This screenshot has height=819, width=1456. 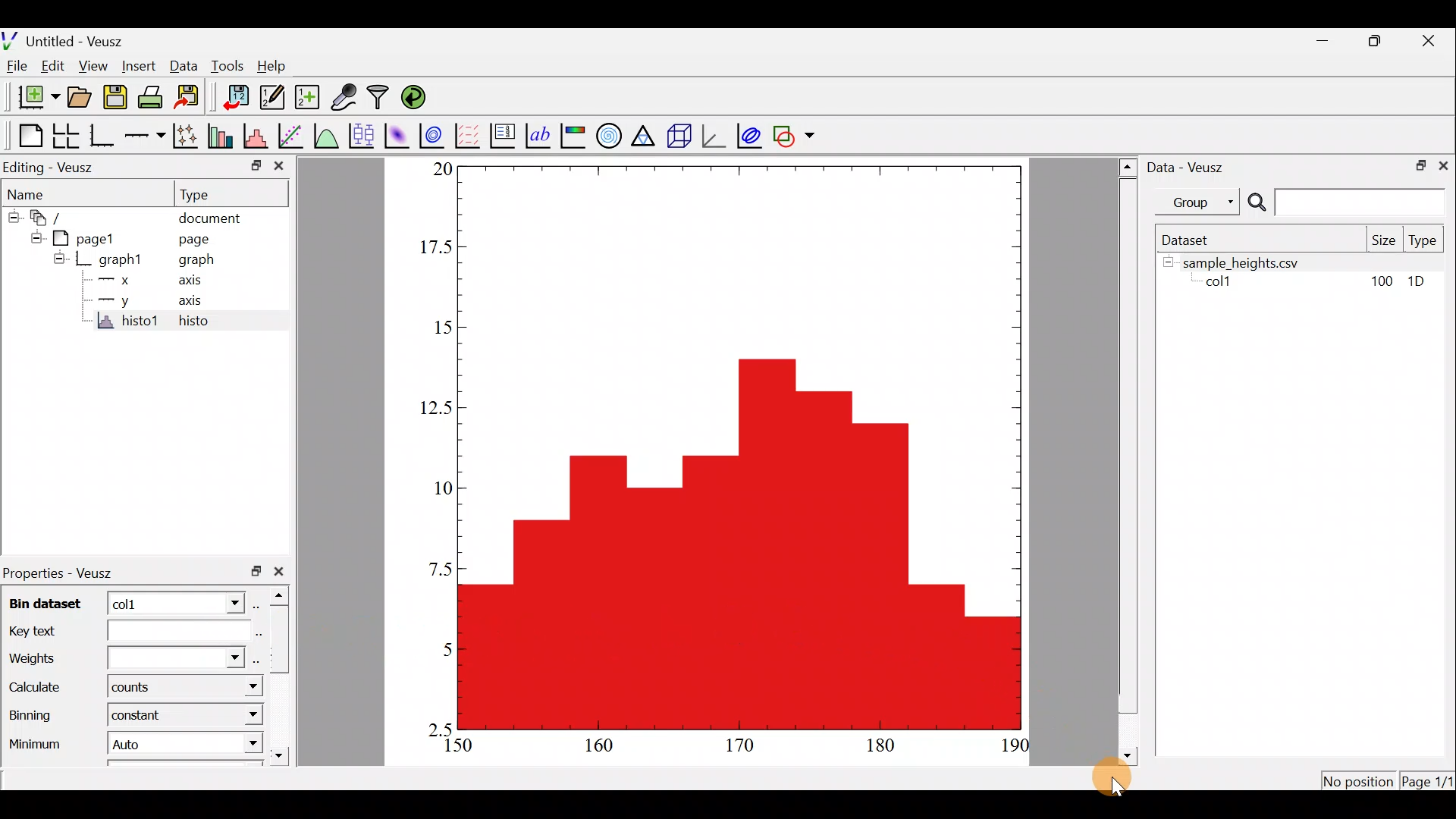 What do you see at coordinates (1384, 282) in the screenshot?
I see `100` at bounding box center [1384, 282].